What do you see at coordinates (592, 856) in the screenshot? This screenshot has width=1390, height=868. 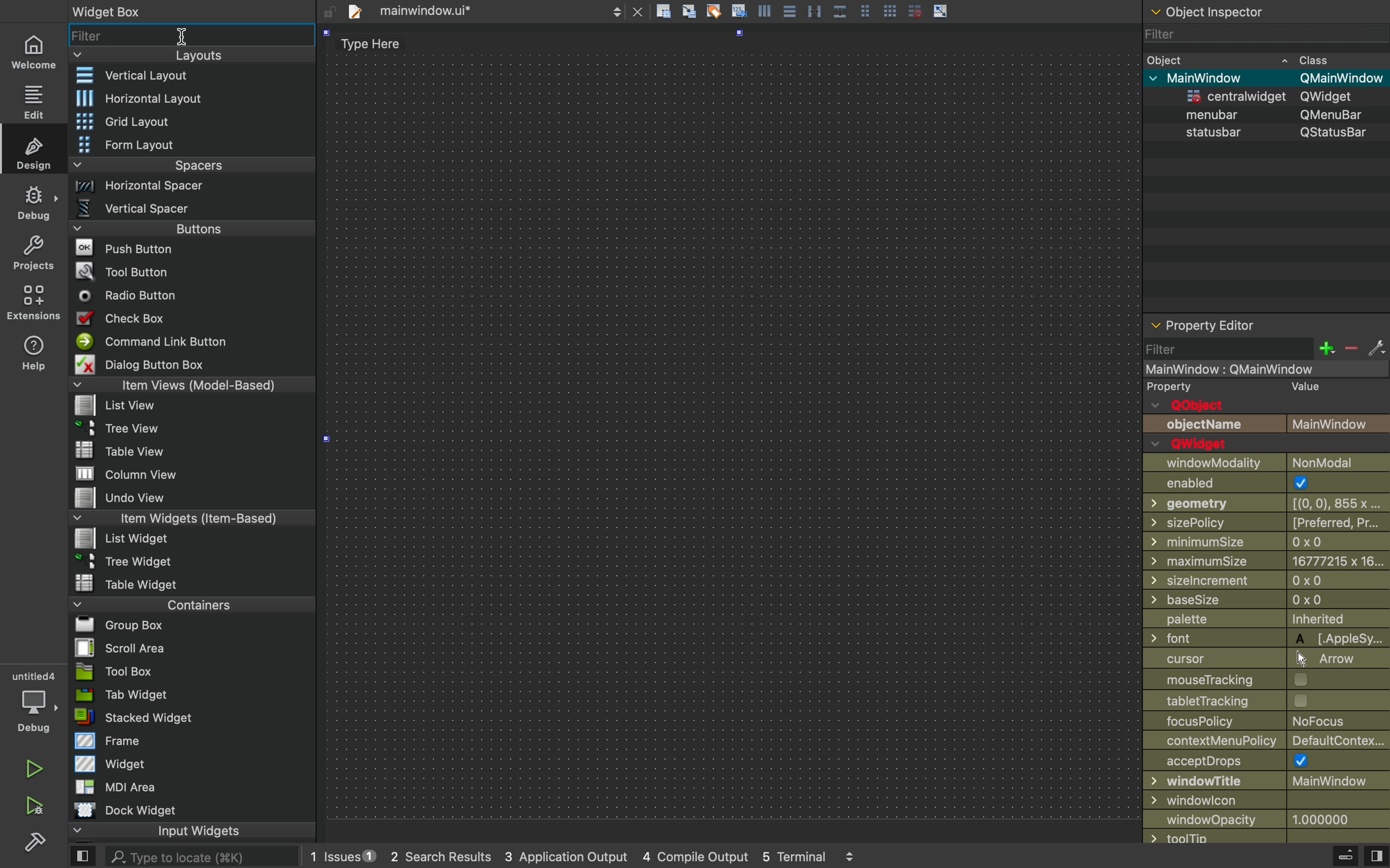 I see `logs` at bounding box center [592, 856].